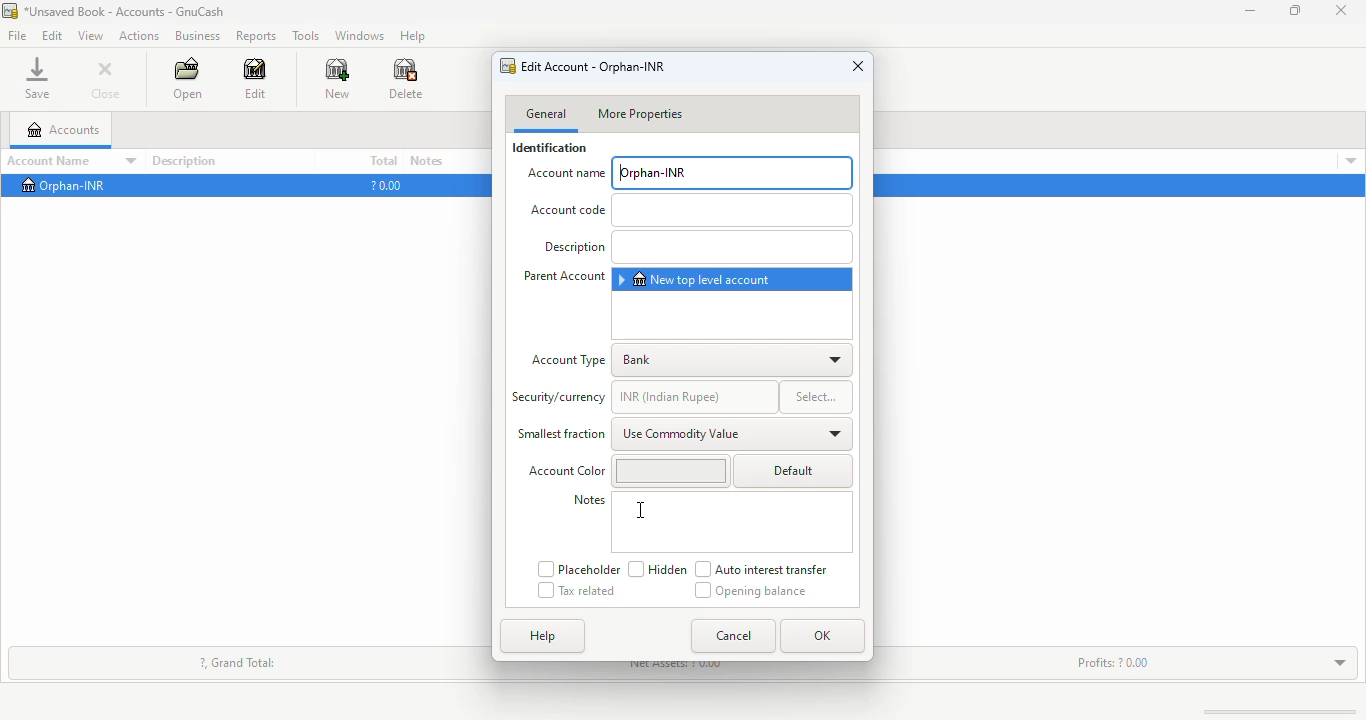  What do you see at coordinates (569, 361) in the screenshot?
I see `account type` at bounding box center [569, 361].